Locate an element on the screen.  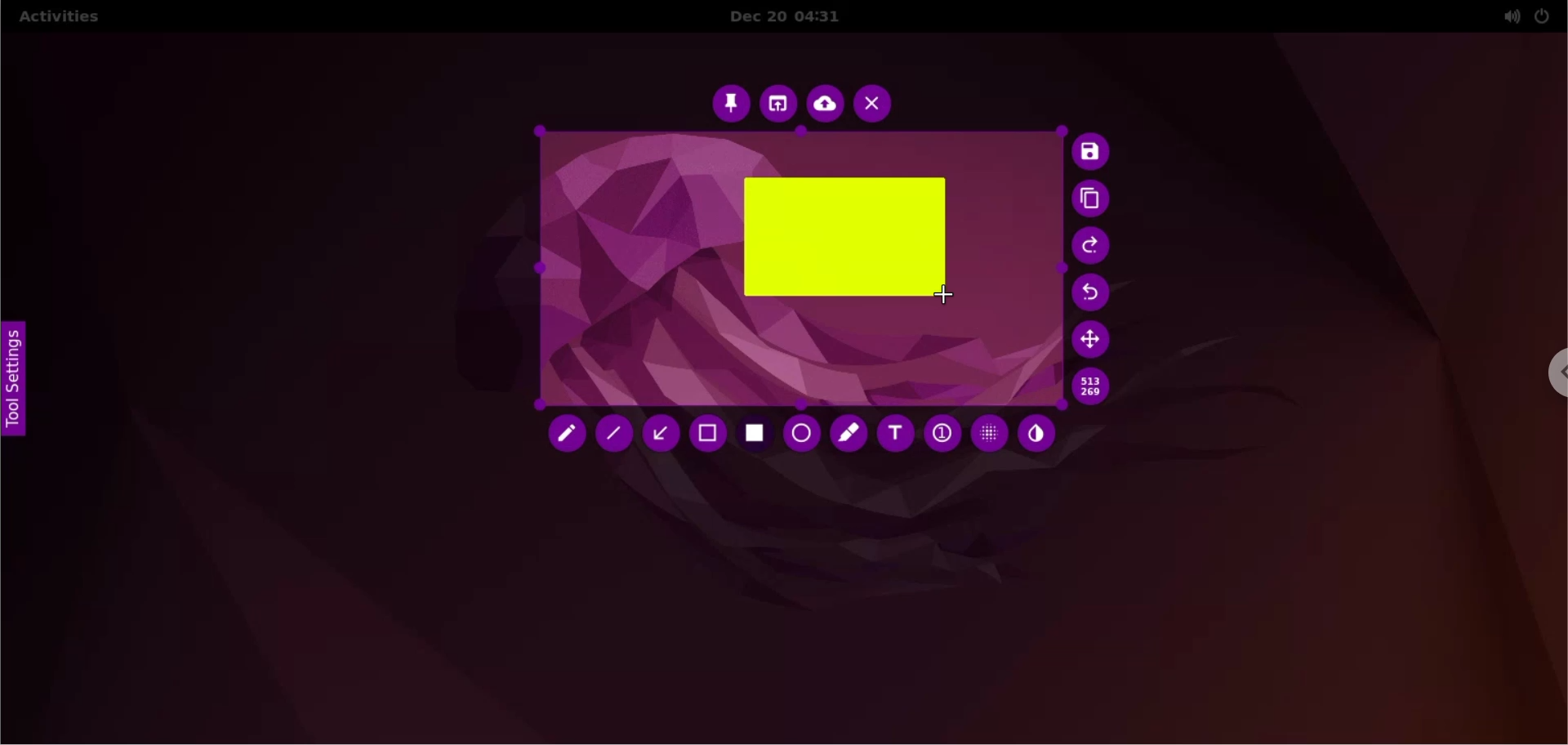
save is located at coordinates (1092, 152).